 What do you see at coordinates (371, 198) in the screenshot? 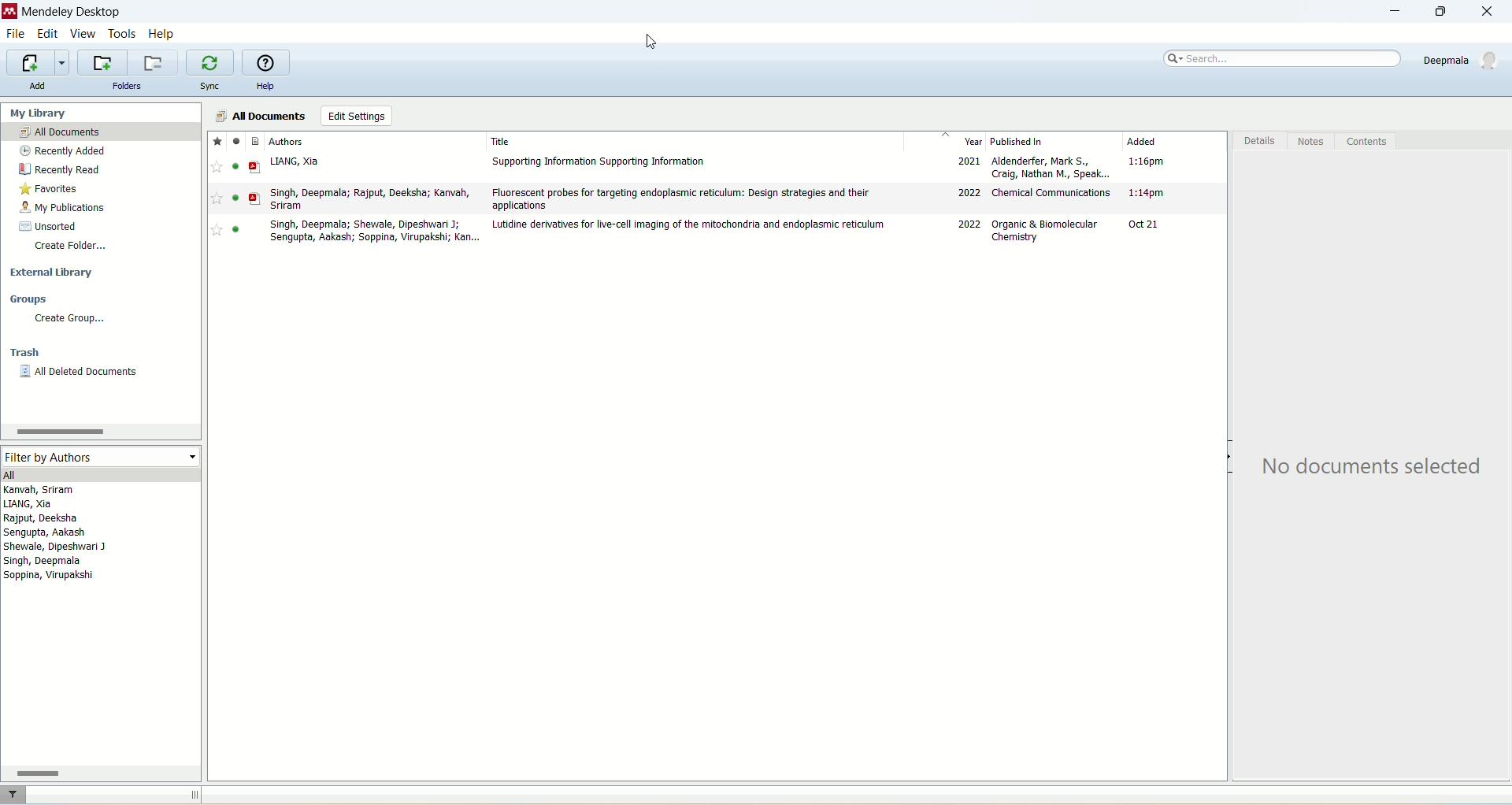
I see `Singh, Deepmala; Rajput, Deeksha; Kanvah, Sriram` at bounding box center [371, 198].